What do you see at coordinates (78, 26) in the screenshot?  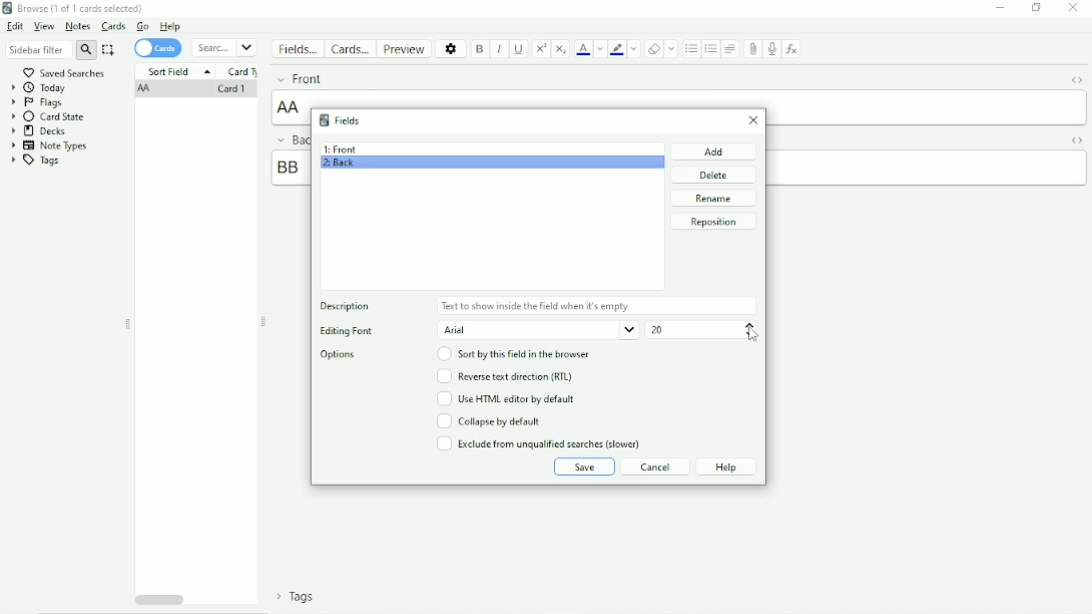 I see `Notes` at bounding box center [78, 26].